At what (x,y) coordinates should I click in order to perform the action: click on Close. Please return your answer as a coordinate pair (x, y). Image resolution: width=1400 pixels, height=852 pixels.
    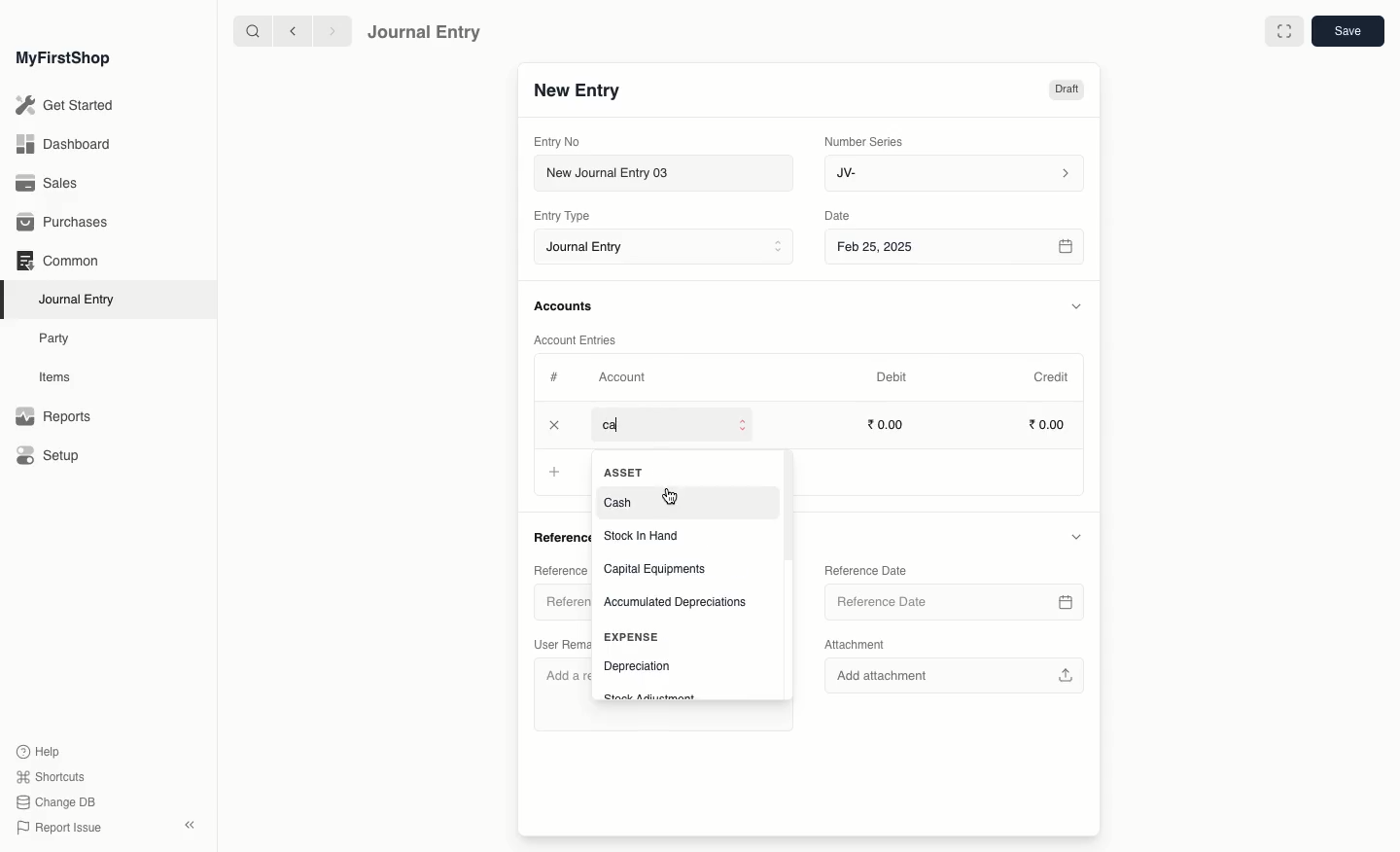
    Looking at the image, I should click on (556, 426).